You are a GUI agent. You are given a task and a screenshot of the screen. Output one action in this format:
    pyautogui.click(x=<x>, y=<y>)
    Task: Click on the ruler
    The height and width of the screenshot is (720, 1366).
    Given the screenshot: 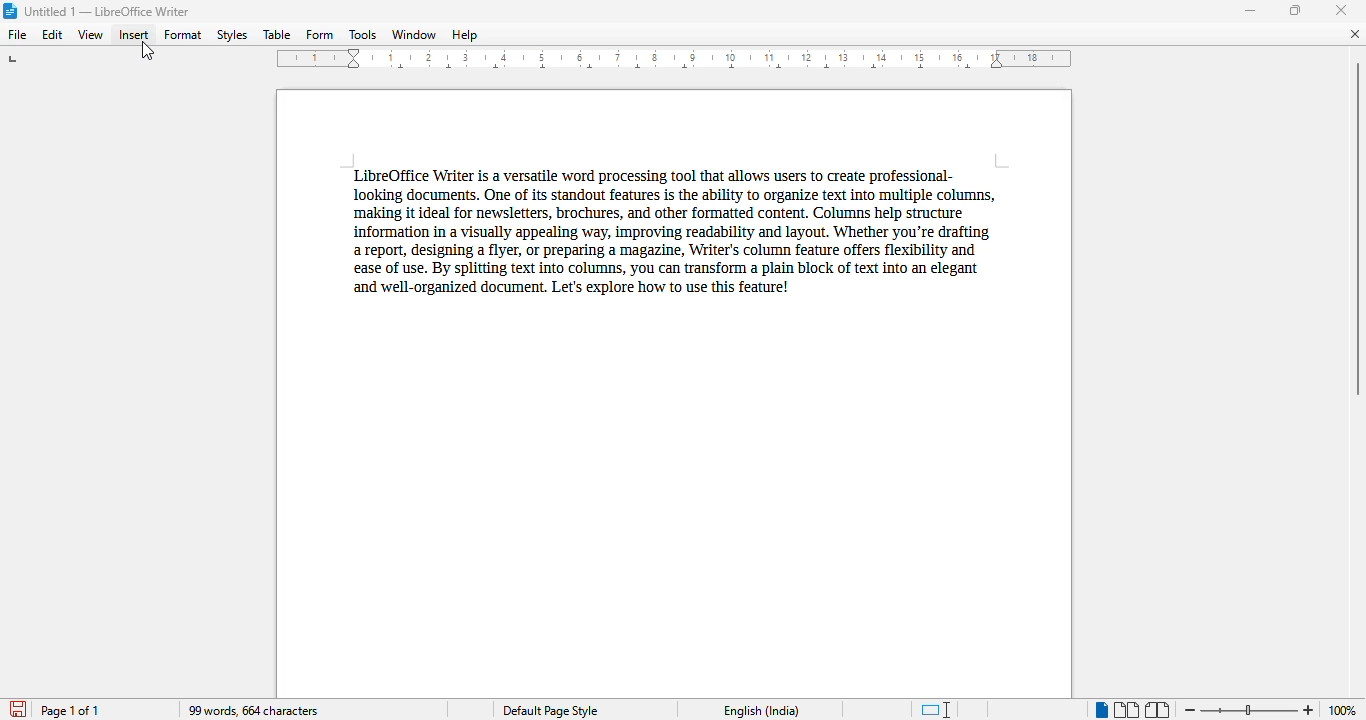 What is the action you would take?
    pyautogui.click(x=674, y=60)
    